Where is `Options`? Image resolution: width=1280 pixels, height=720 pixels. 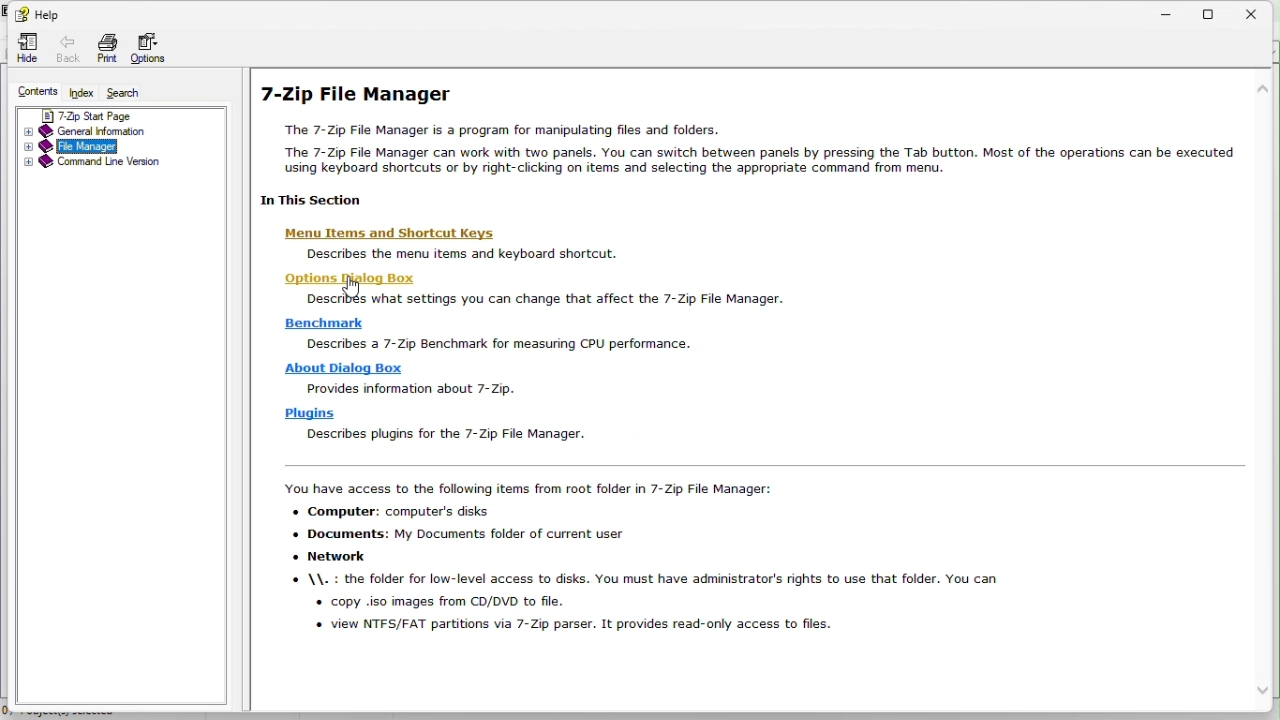
Options is located at coordinates (154, 51).